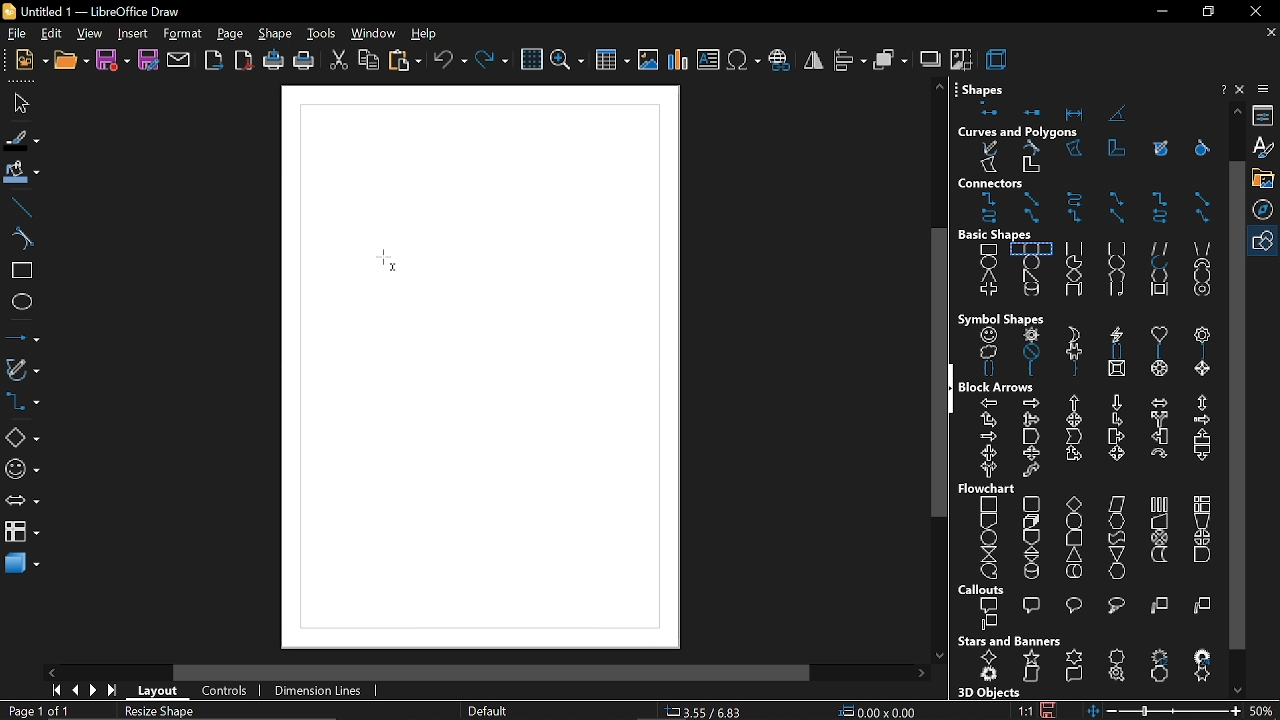 The height and width of the screenshot is (720, 1280). I want to click on change zoom, so click(1162, 711).